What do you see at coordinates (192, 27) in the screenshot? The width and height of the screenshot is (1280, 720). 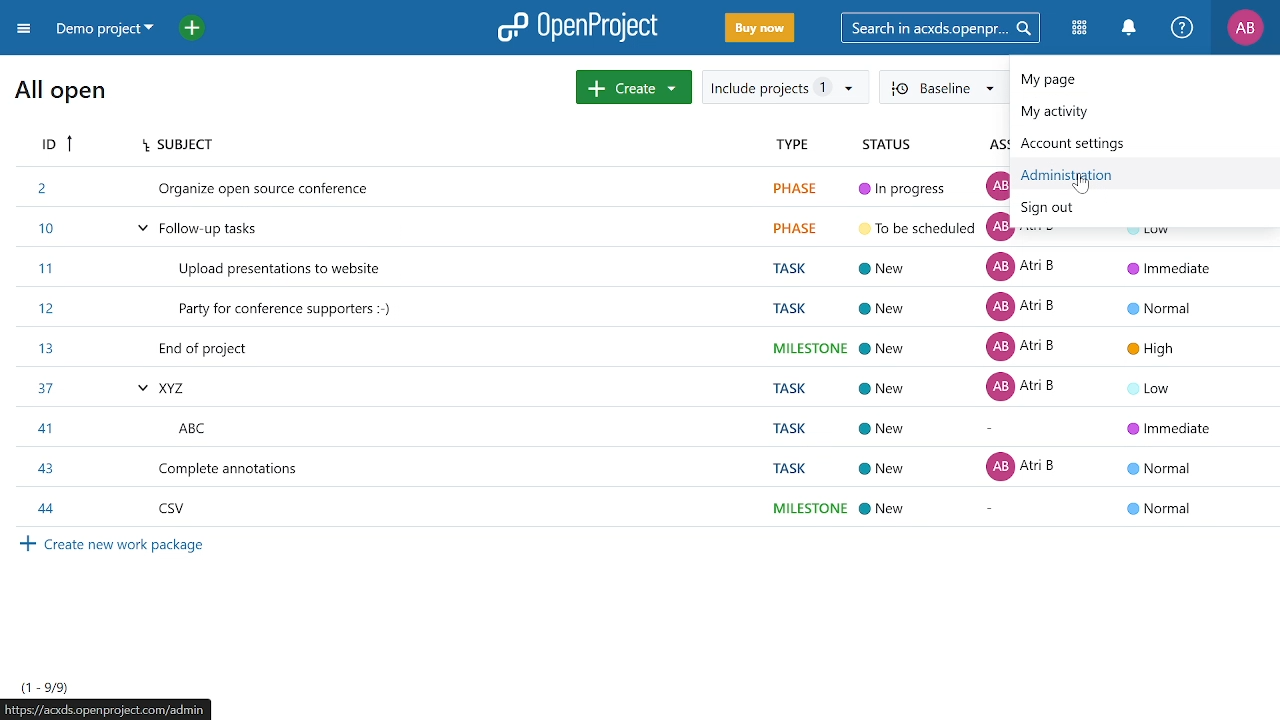 I see `Open quick add menu` at bounding box center [192, 27].